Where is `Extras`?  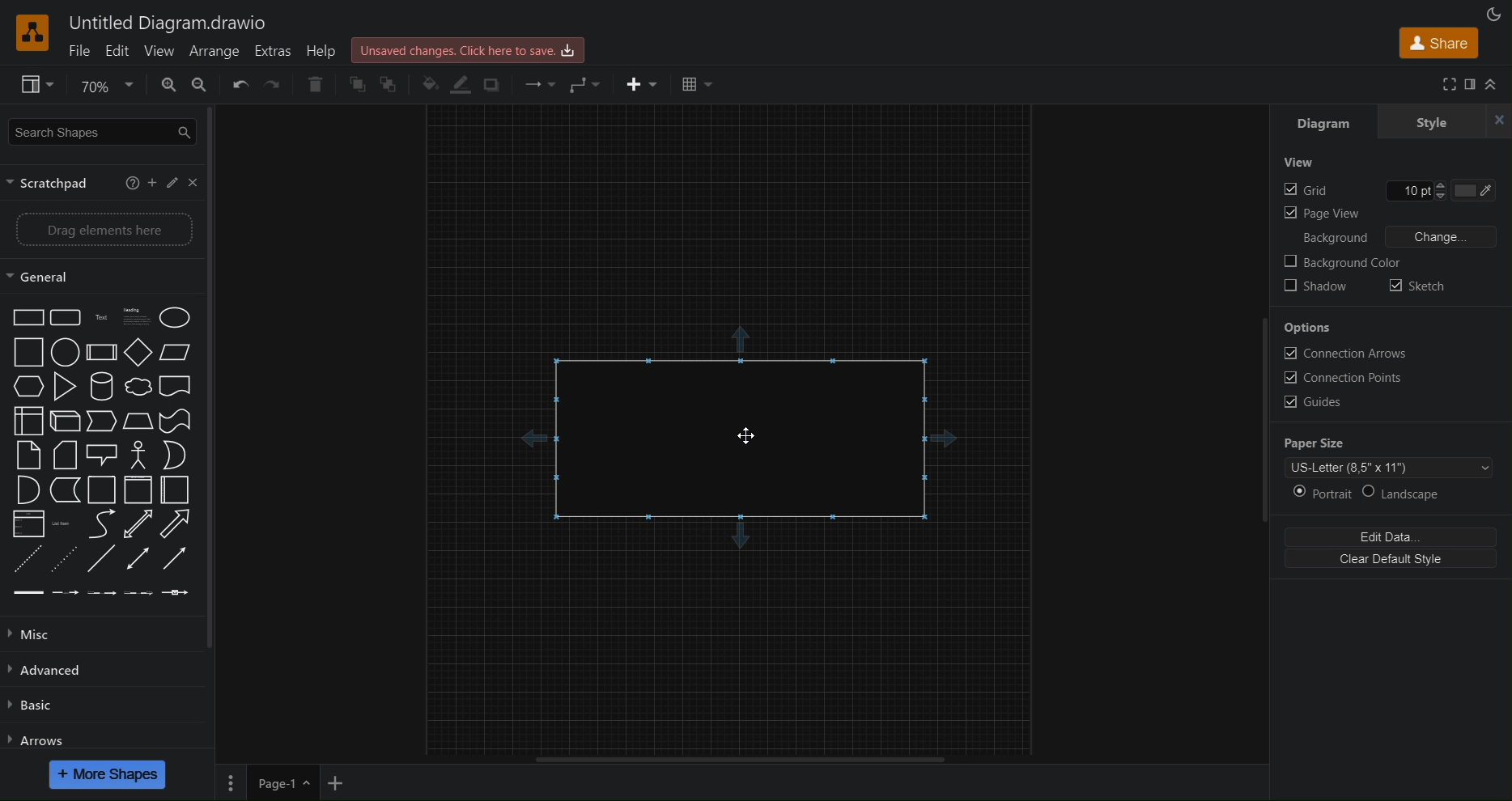 Extras is located at coordinates (278, 52).